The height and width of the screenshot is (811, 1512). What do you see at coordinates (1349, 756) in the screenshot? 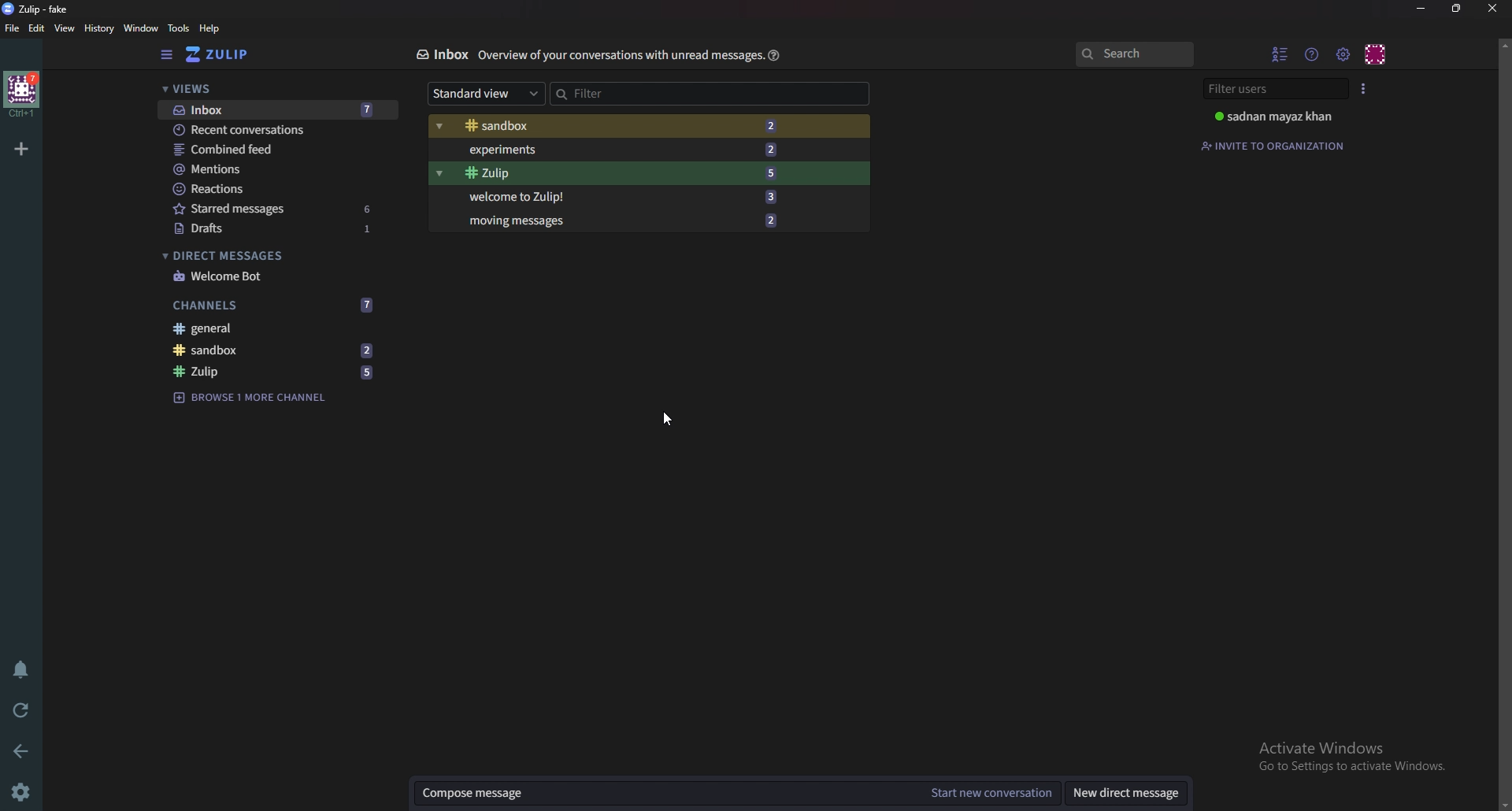
I see `Activate Windows
Go to Settings to activate Windows.` at bounding box center [1349, 756].